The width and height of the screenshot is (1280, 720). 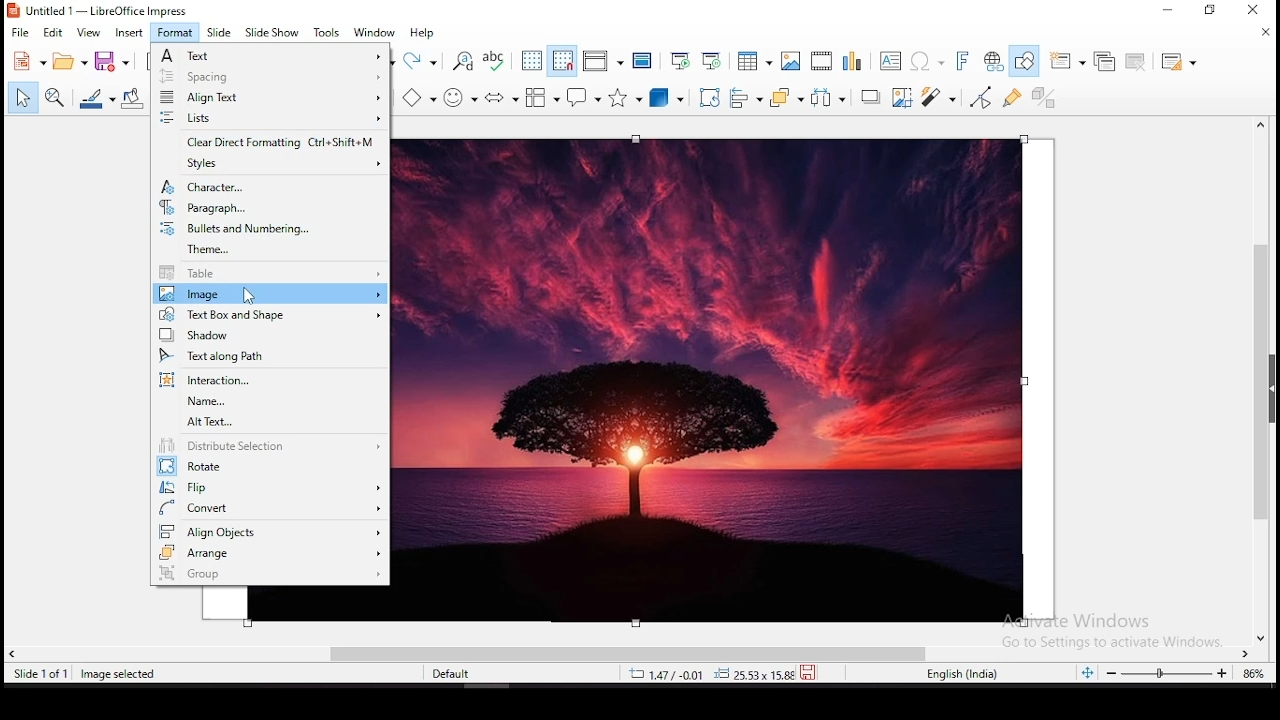 I want to click on insert, so click(x=129, y=33).